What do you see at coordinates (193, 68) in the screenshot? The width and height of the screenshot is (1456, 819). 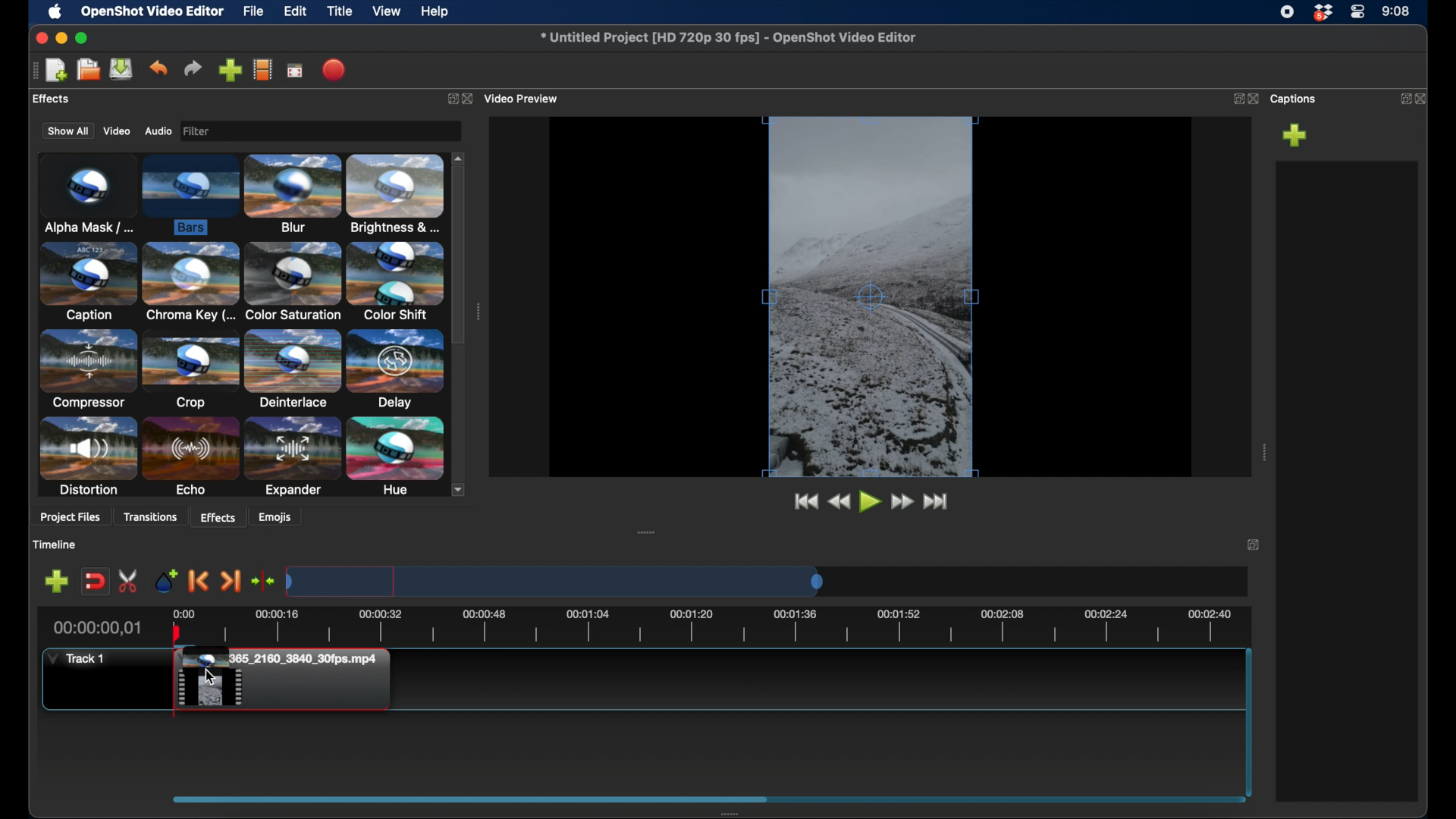 I see `redo` at bounding box center [193, 68].